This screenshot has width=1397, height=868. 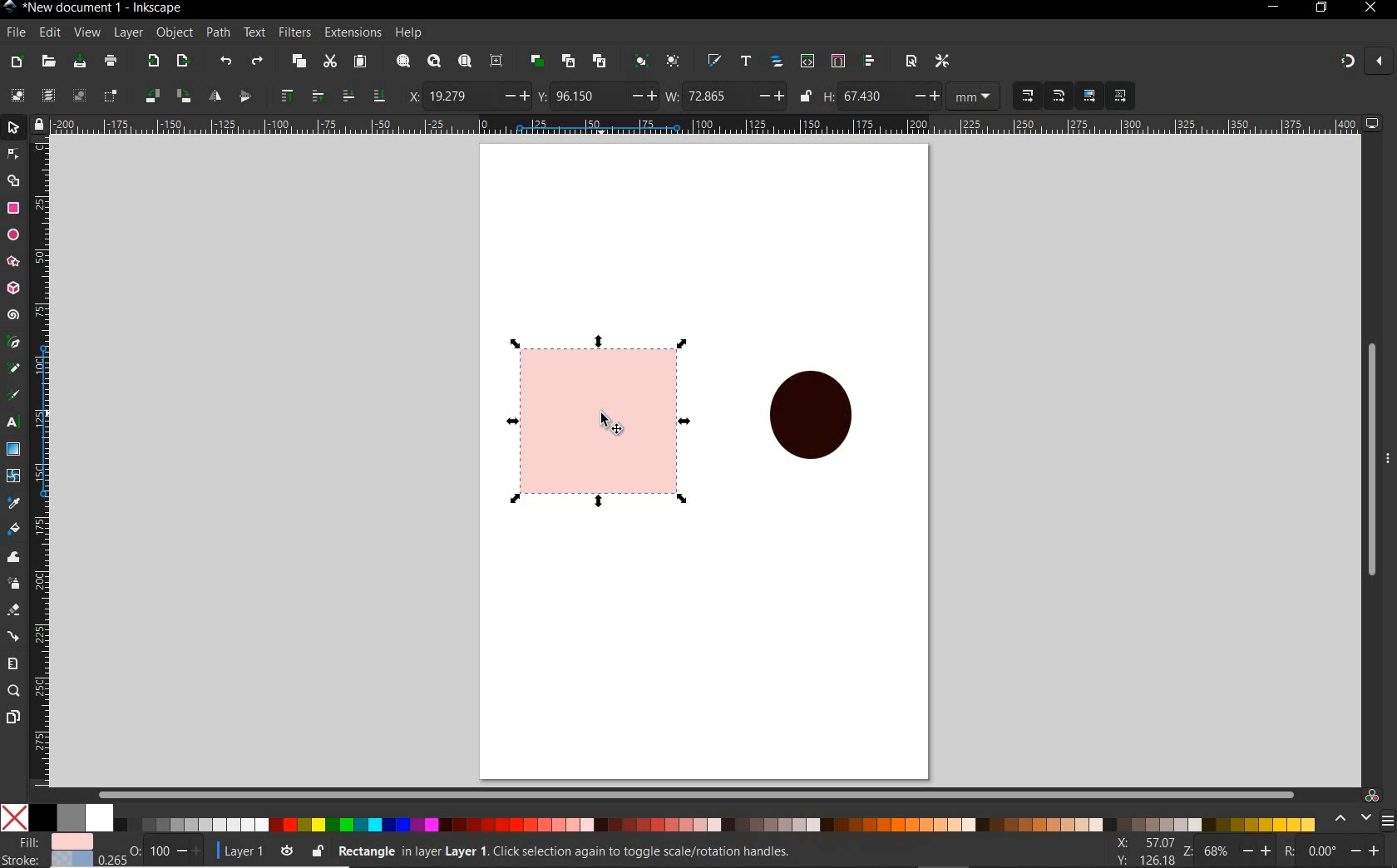 I want to click on ellipse ,arc tool, so click(x=12, y=234).